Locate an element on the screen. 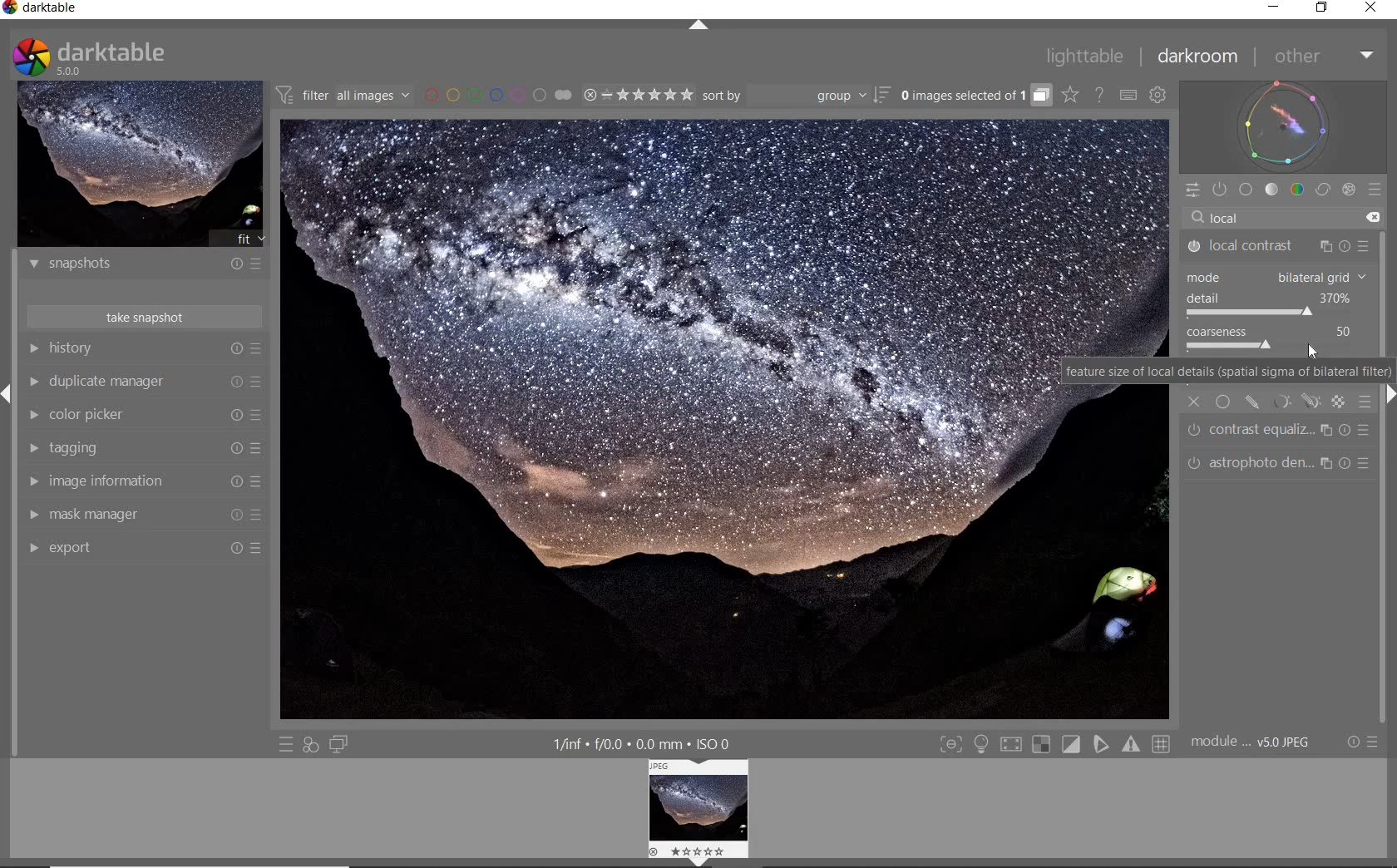  hide right menu • shift +ctrl+r is located at coordinates (1389, 397).